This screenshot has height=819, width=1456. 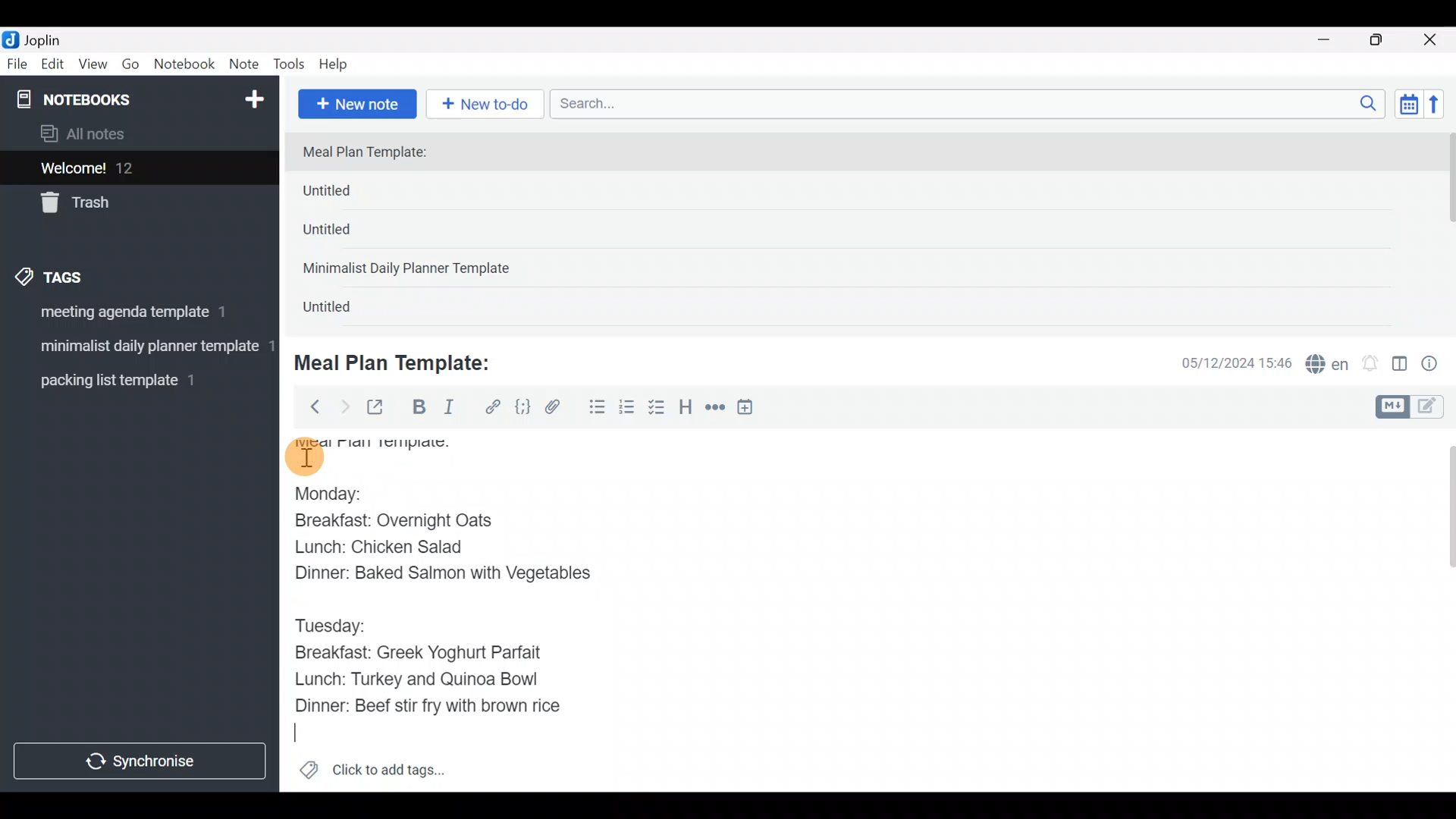 I want to click on Tools, so click(x=290, y=65).